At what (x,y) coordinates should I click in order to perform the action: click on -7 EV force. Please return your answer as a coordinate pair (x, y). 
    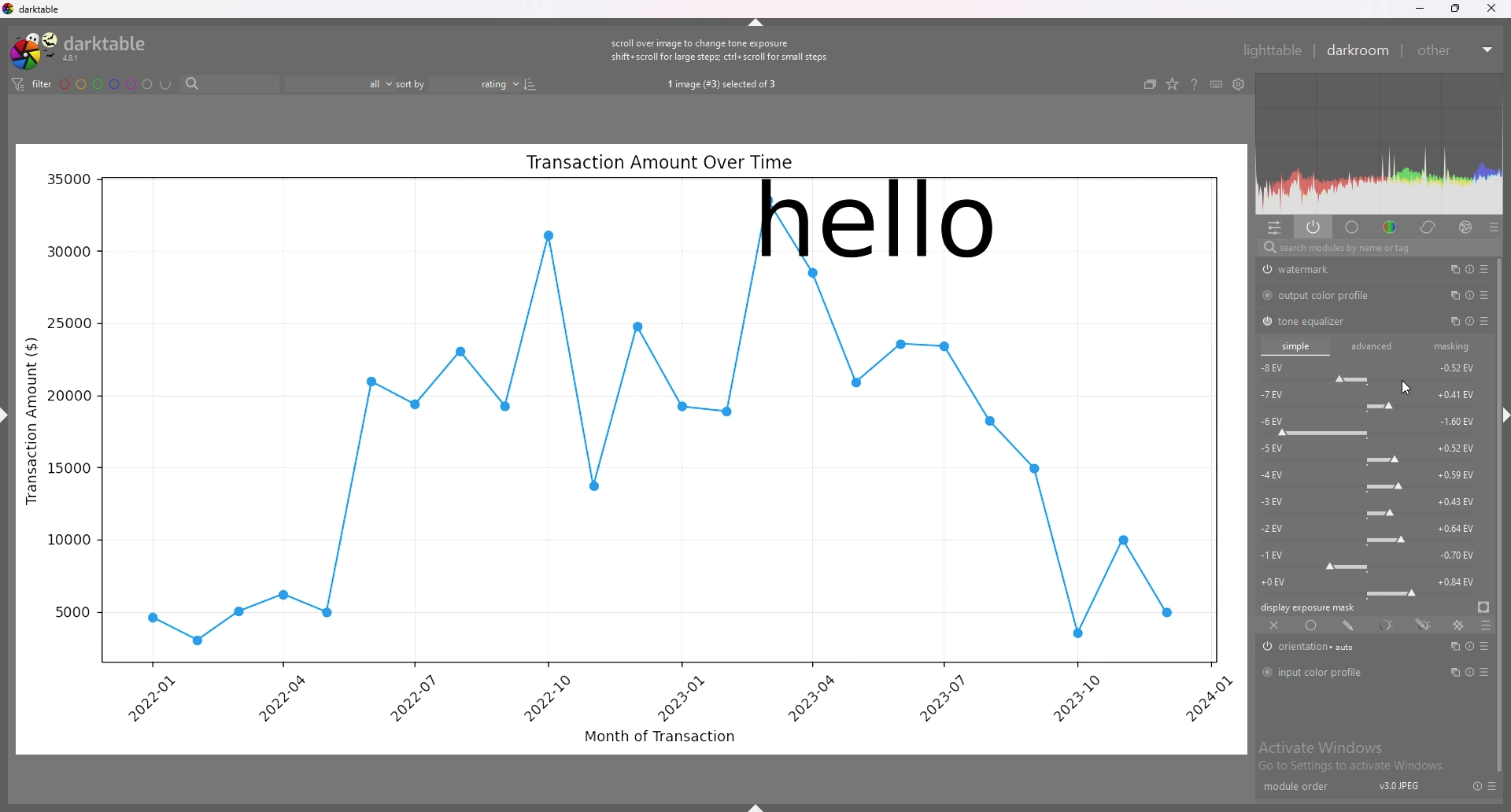
    Looking at the image, I should click on (1369, 398).